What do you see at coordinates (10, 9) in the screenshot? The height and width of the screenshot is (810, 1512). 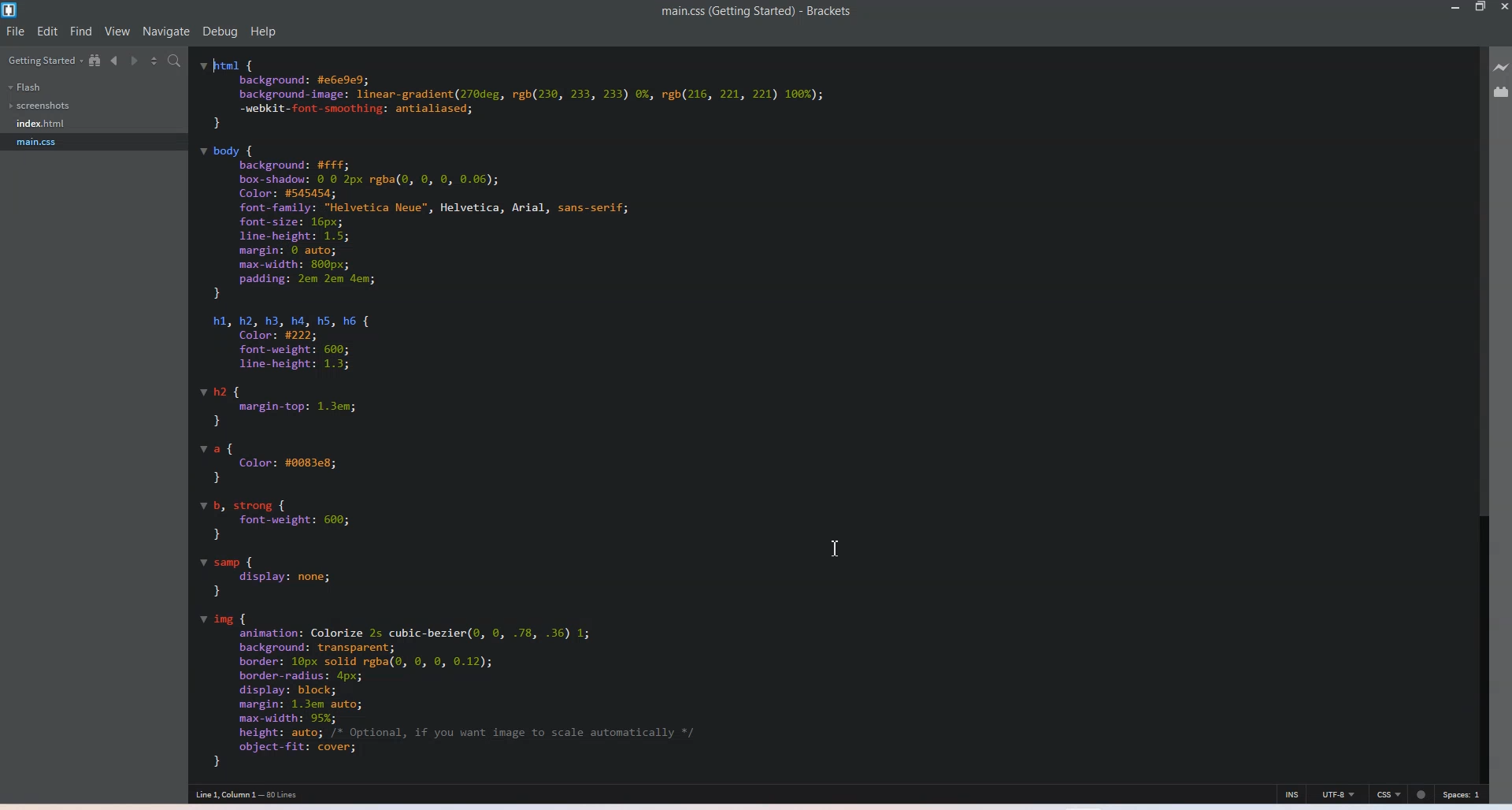 I see `Logo ` at bounding box center [10, 9].